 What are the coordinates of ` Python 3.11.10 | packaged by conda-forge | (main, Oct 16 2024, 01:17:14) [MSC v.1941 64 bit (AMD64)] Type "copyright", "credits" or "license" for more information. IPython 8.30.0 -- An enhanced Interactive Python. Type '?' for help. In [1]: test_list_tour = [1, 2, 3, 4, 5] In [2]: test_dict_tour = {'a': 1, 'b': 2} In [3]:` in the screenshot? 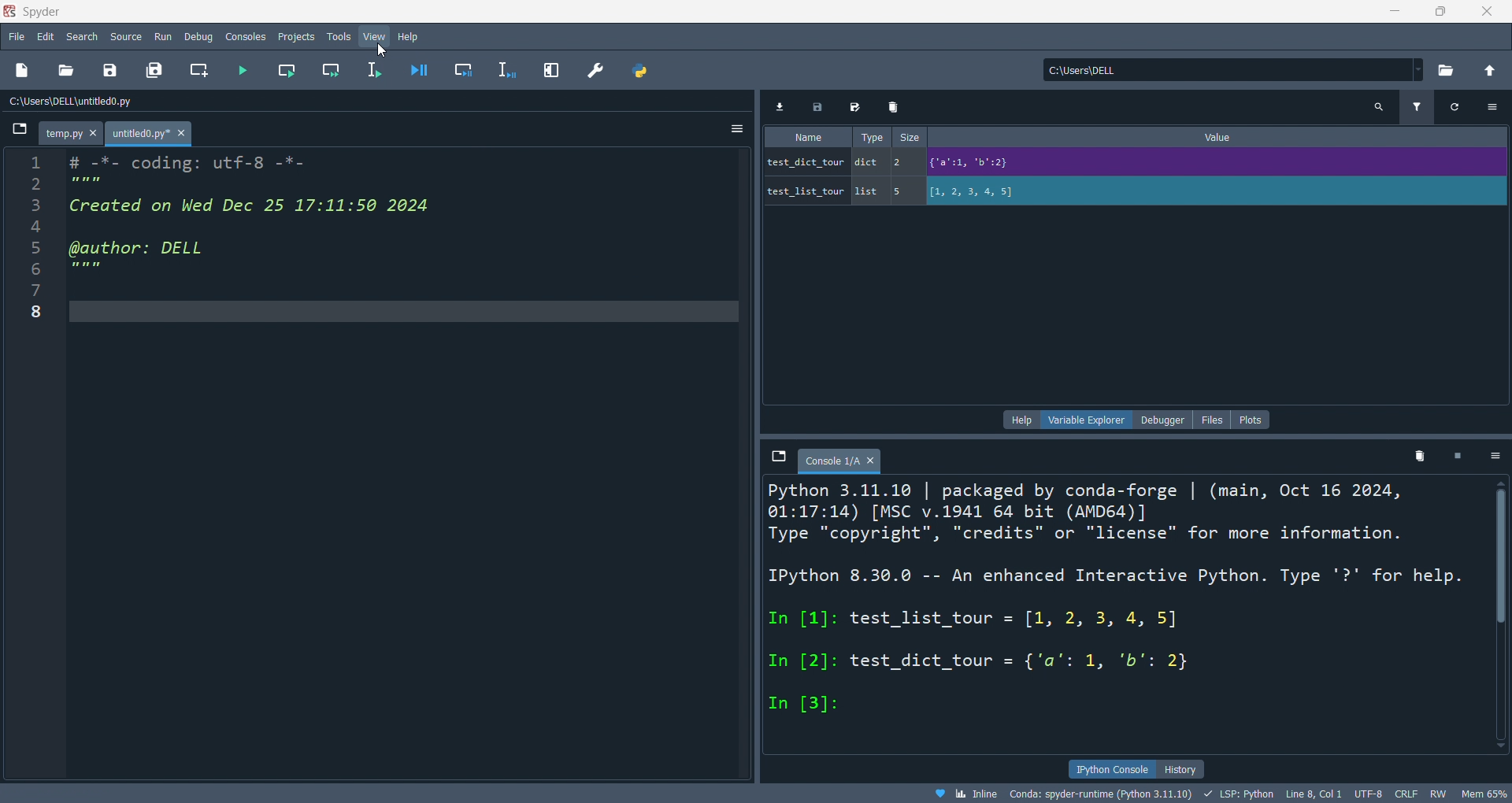 It's located at (1123, 618).